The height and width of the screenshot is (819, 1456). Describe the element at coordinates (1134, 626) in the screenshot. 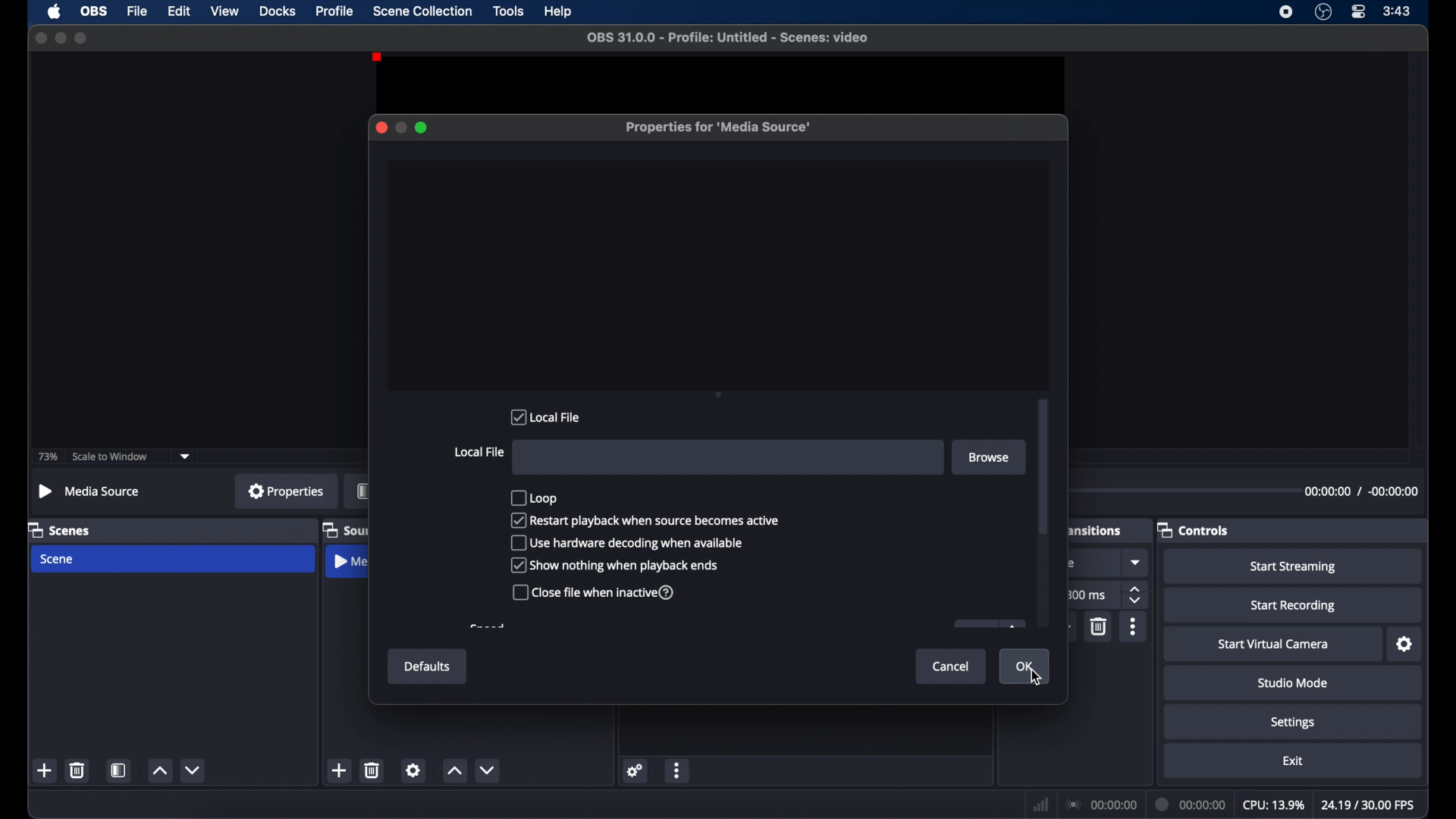

I see `more options` at that location.